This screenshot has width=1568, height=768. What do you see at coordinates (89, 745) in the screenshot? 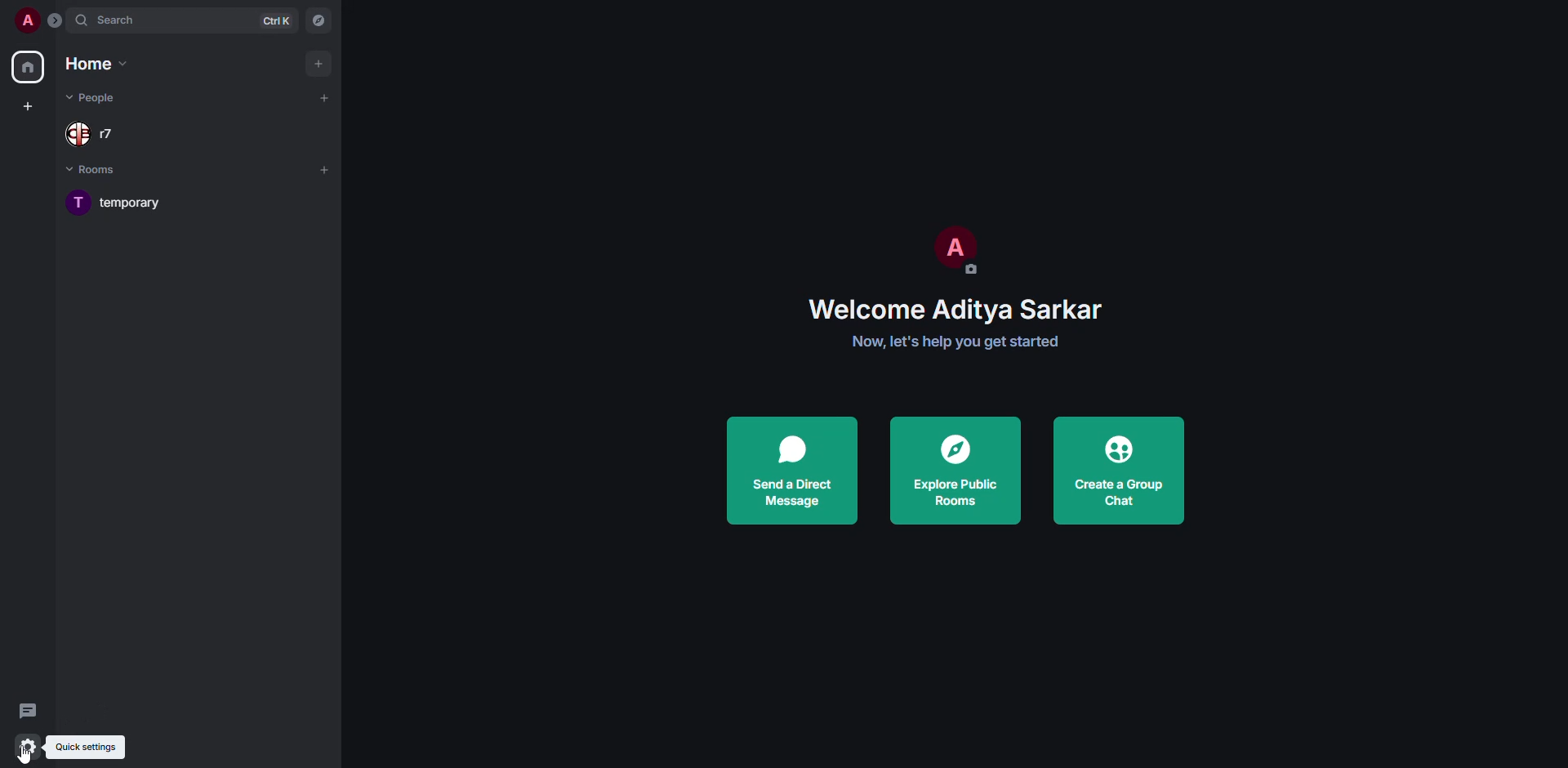
I see `quick settings` at bounding box center [89, 745].